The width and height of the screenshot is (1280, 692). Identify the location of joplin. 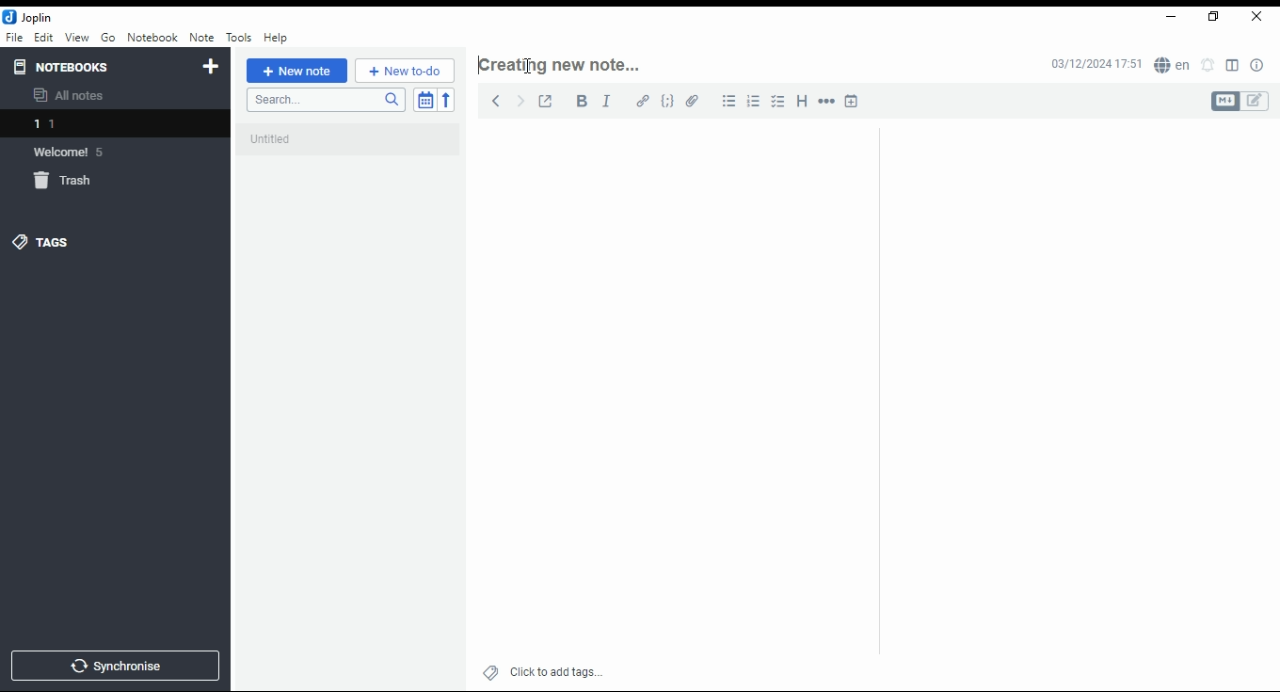
(29, 17).